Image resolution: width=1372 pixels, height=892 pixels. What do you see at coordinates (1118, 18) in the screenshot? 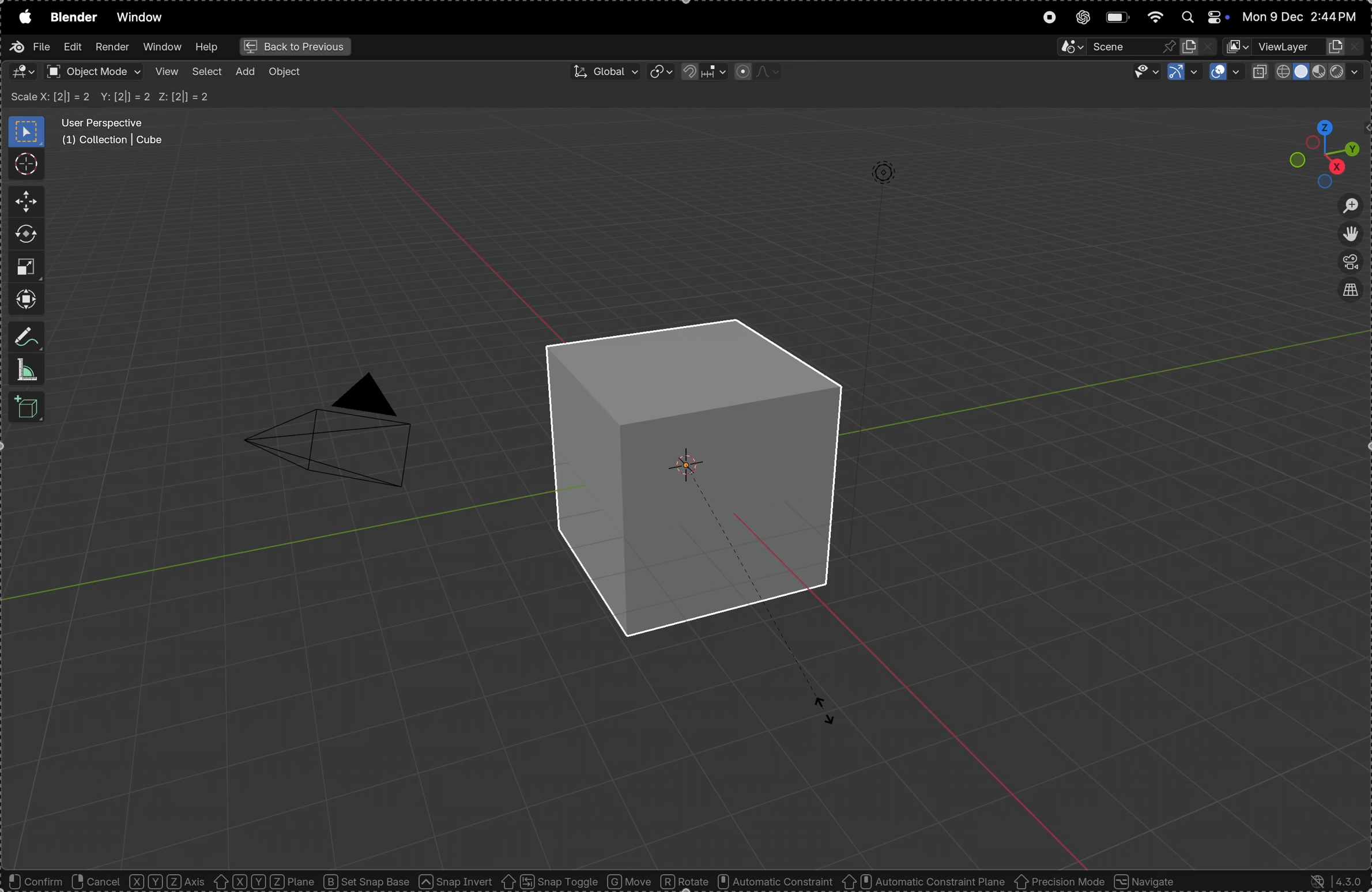
I see `battery` at bounding box center [1118, 18].